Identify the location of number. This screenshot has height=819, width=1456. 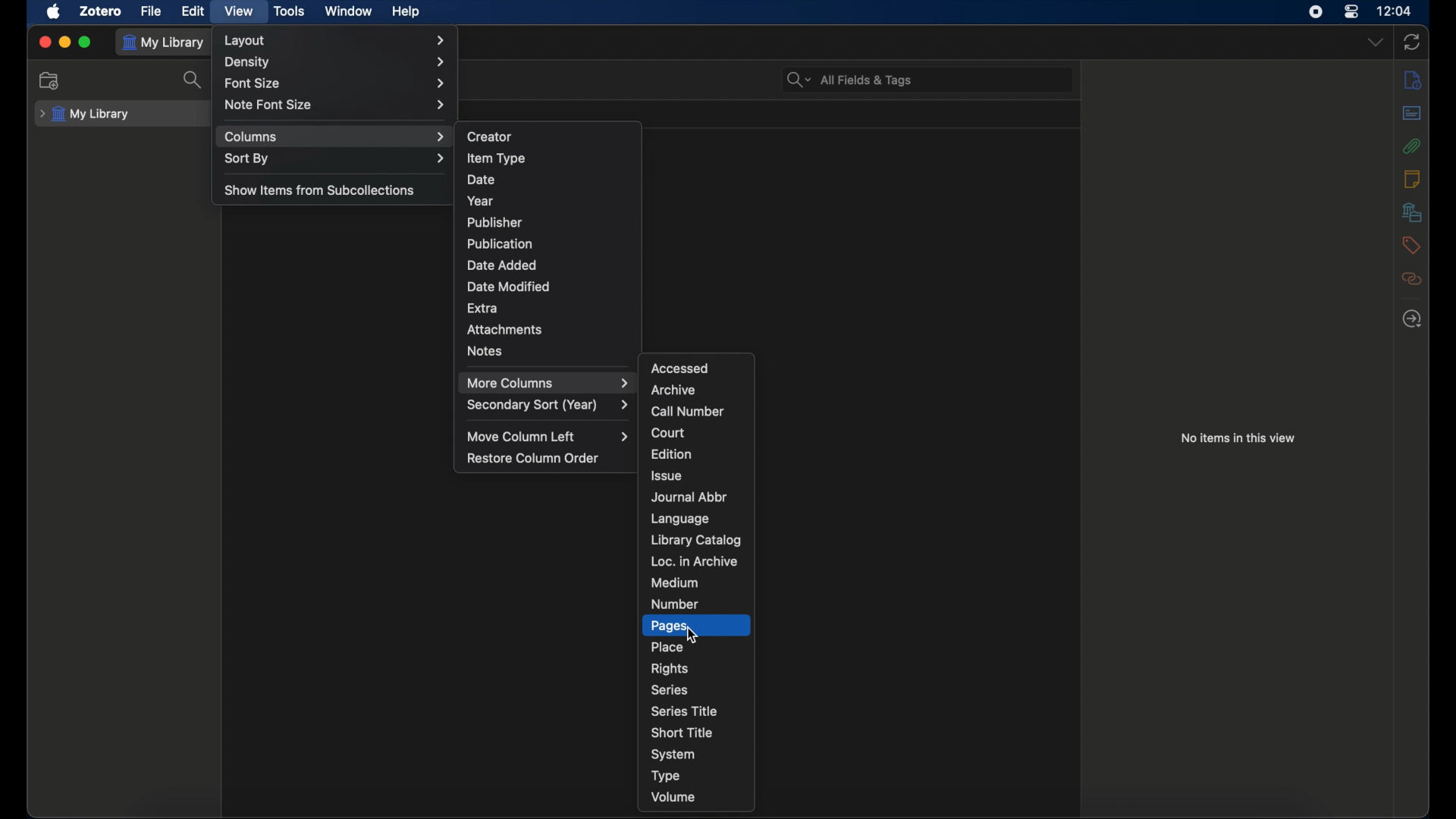
(674, 603).